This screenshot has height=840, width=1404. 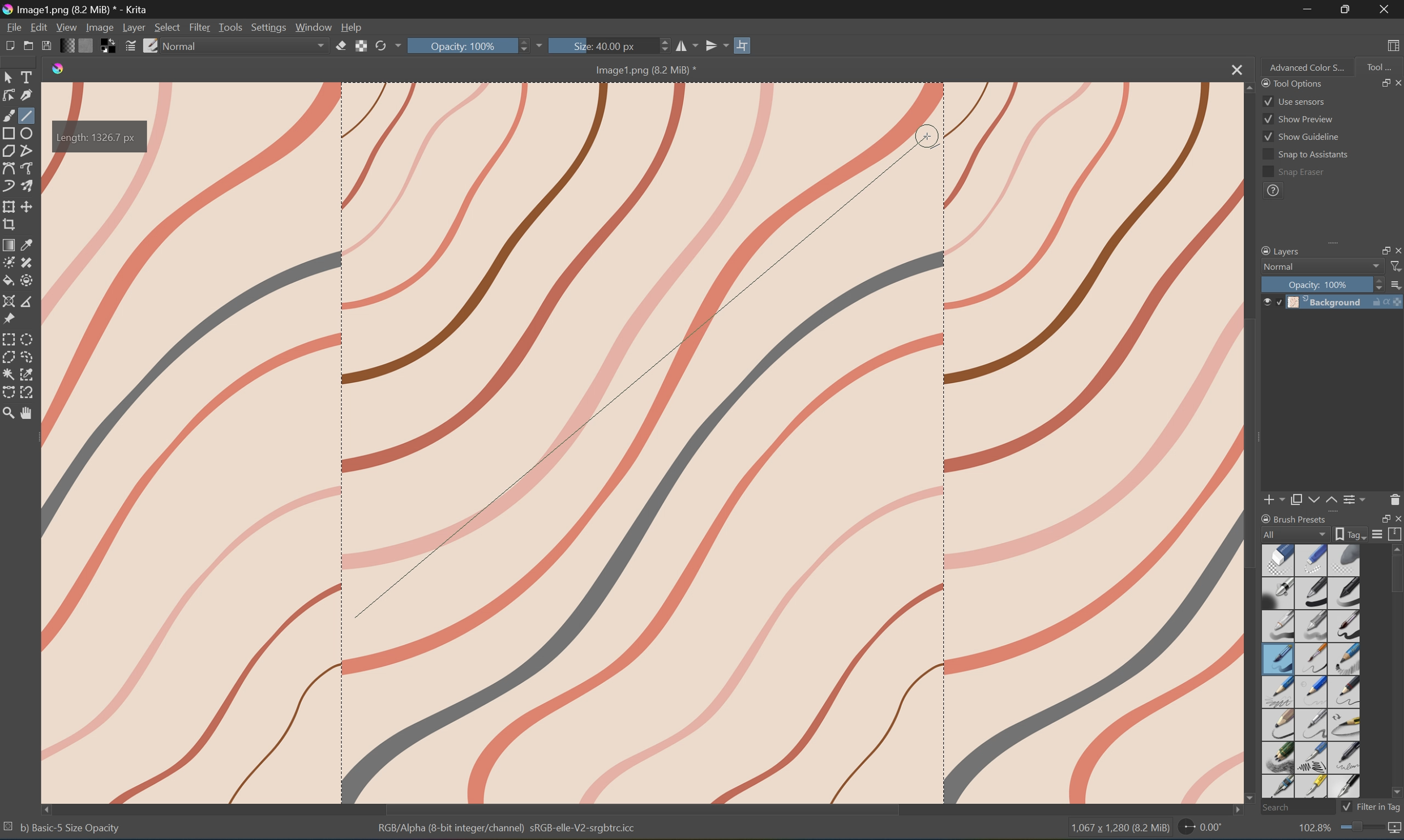 I want to click on Polyline tool, so click(x=27, y=151).